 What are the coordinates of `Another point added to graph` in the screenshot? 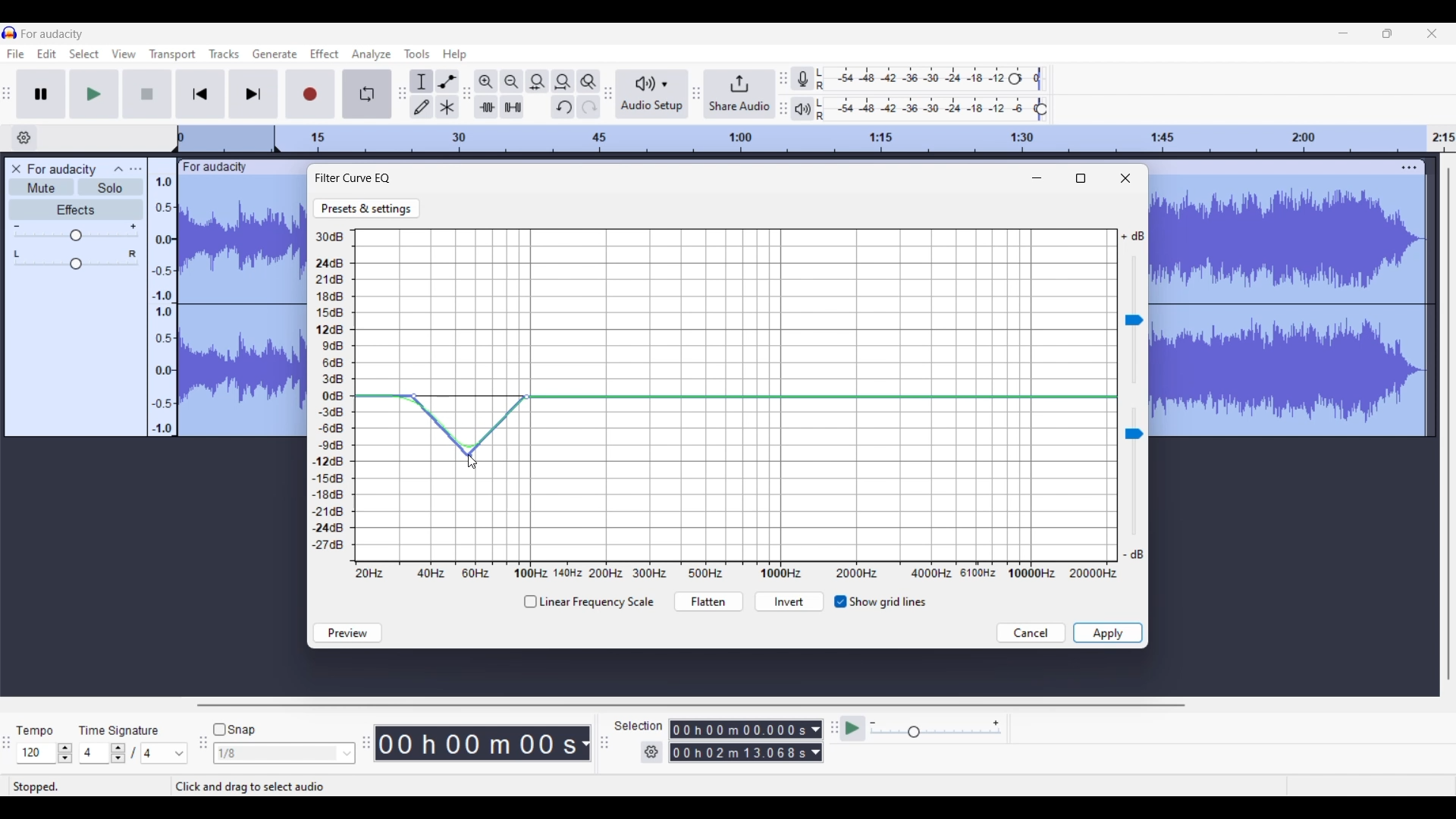 It's located at (527, 397).